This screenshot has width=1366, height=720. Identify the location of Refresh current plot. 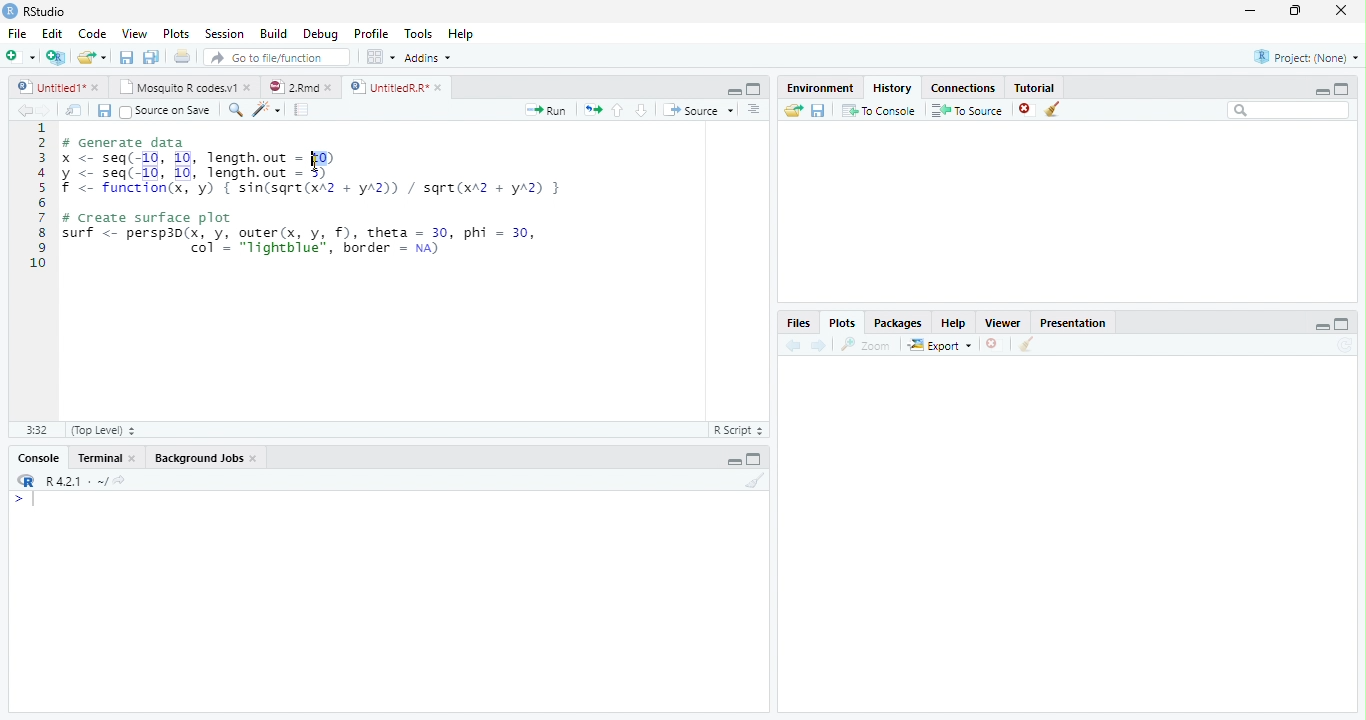
(1347, 345).